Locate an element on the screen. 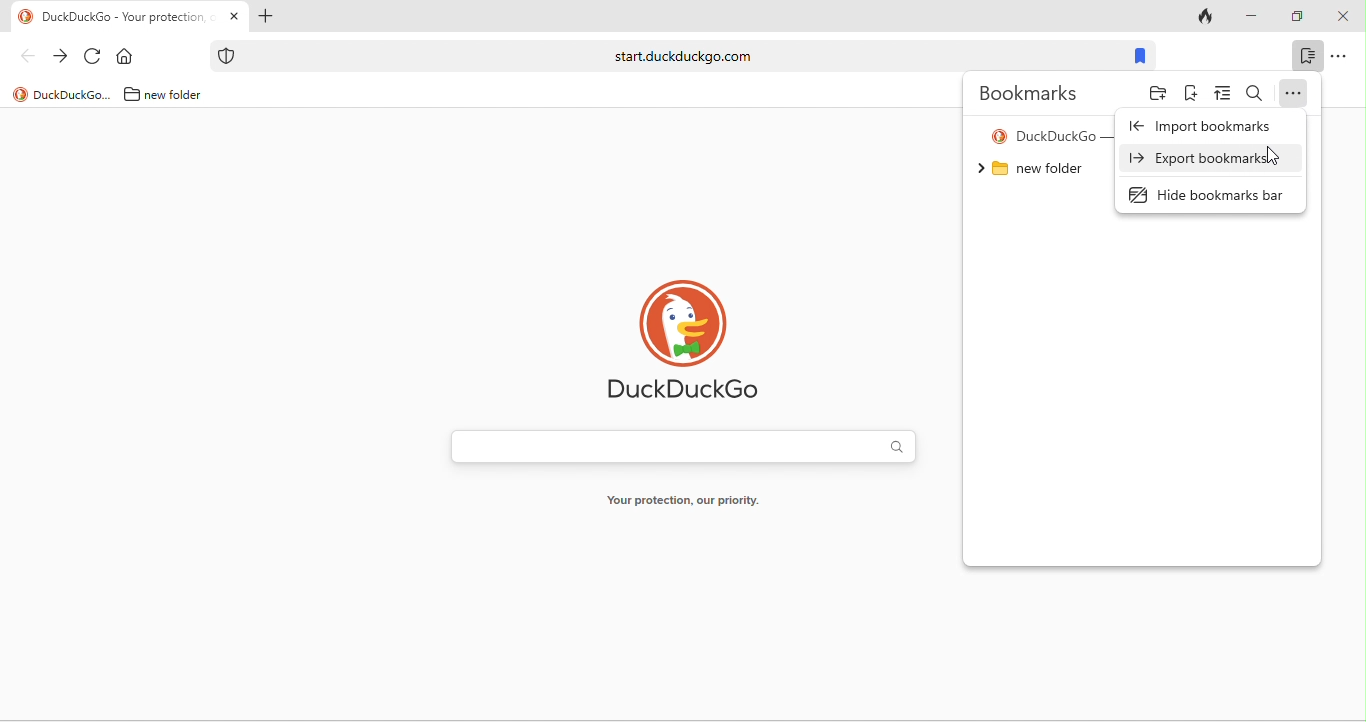 The image size is (1366, 722). export bookmark is located at coordinates (1203, 158).